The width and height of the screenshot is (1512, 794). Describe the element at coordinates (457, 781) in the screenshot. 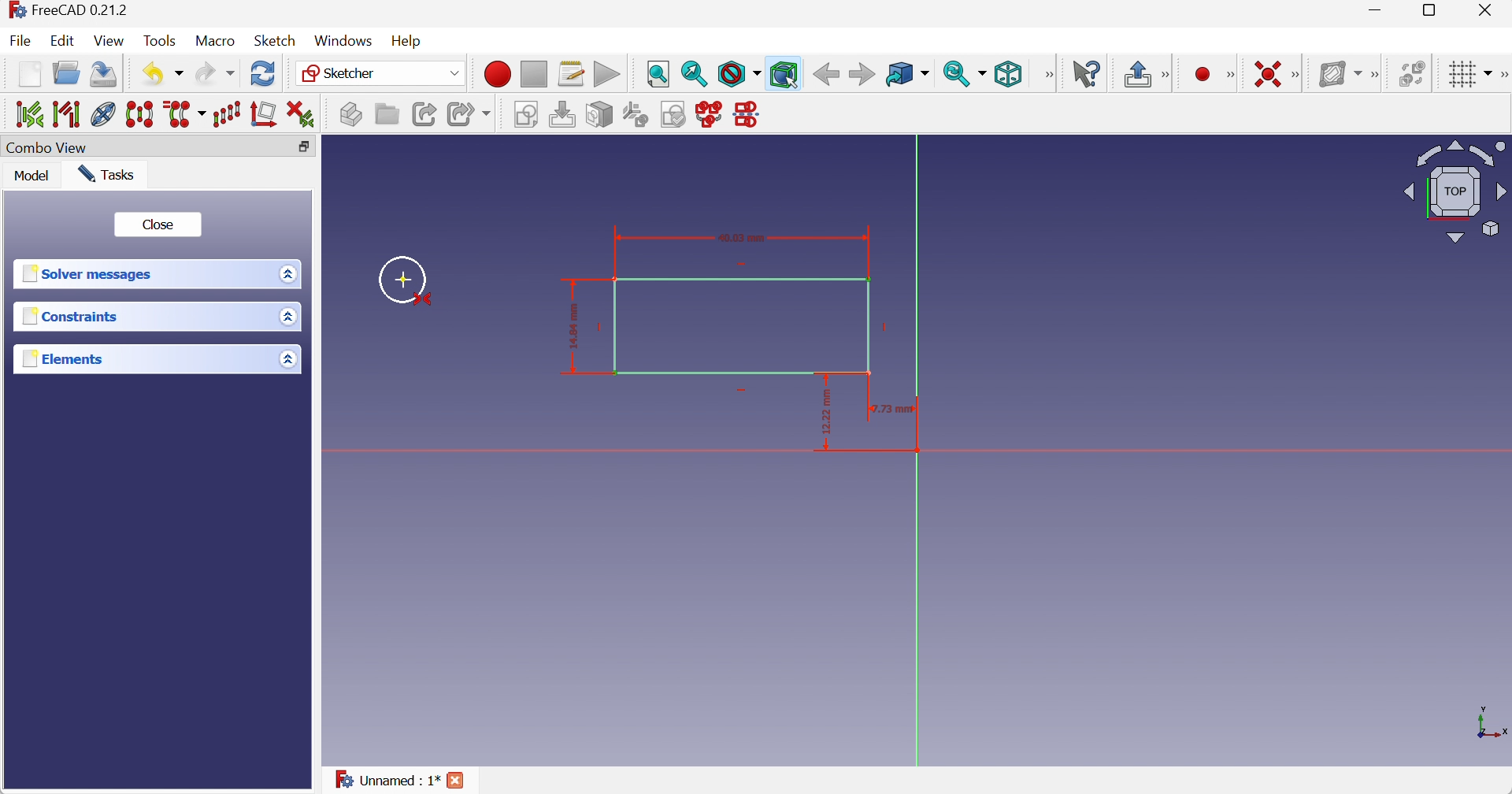

I see `Close` at that location.